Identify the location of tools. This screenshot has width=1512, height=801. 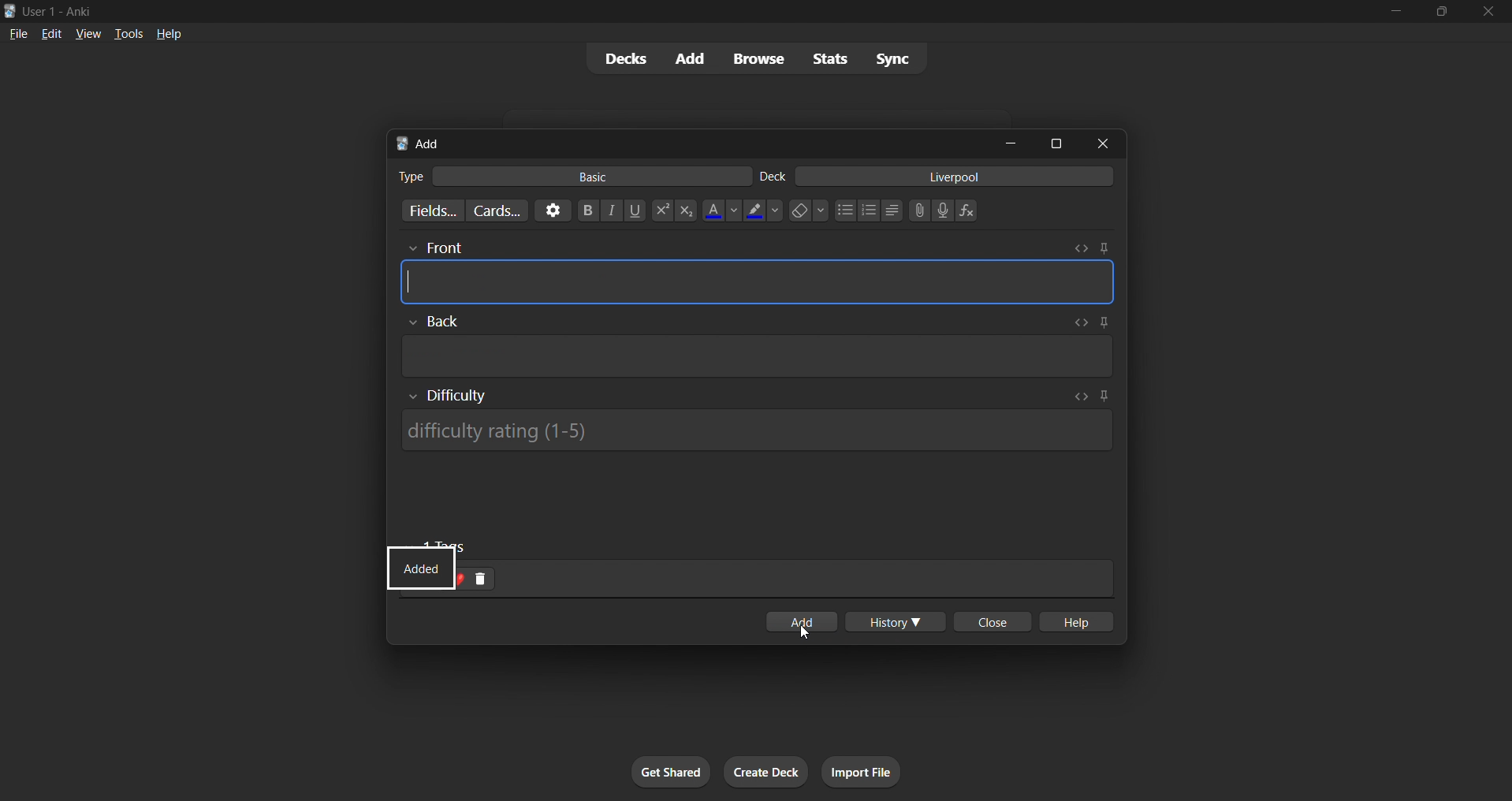
(128, 33).